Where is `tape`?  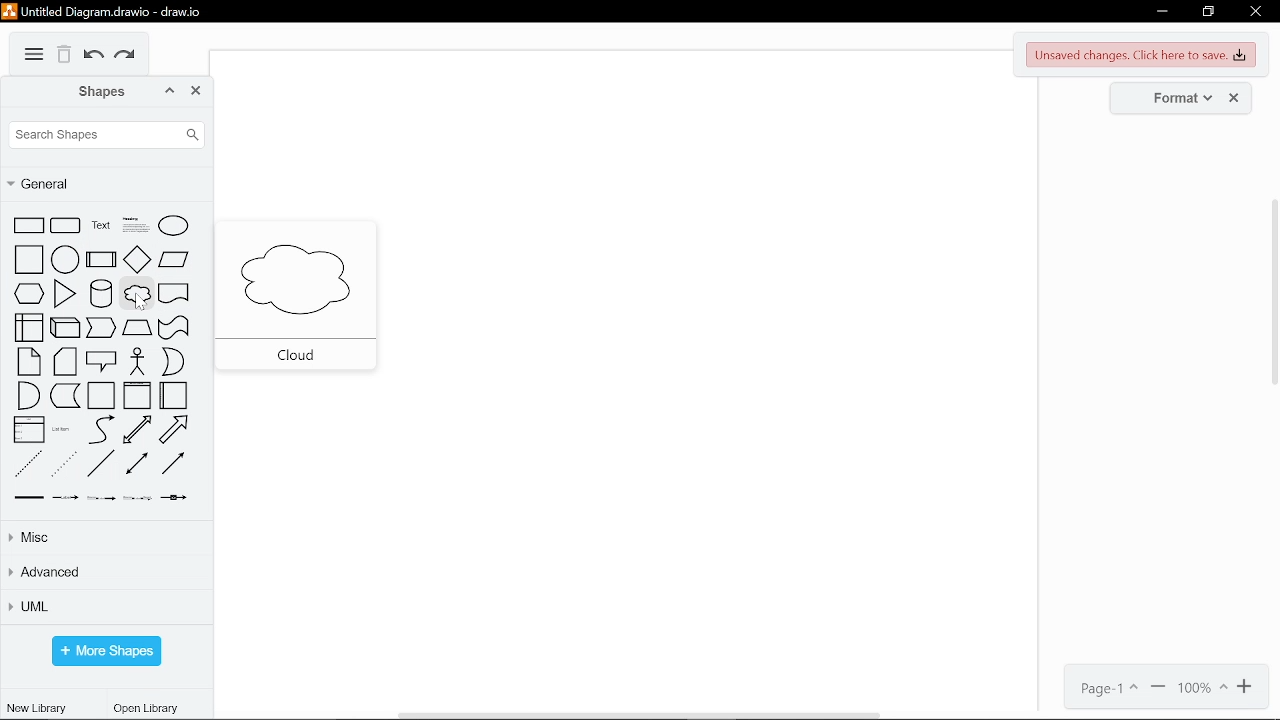 tape is located at coordinates (174, 328).